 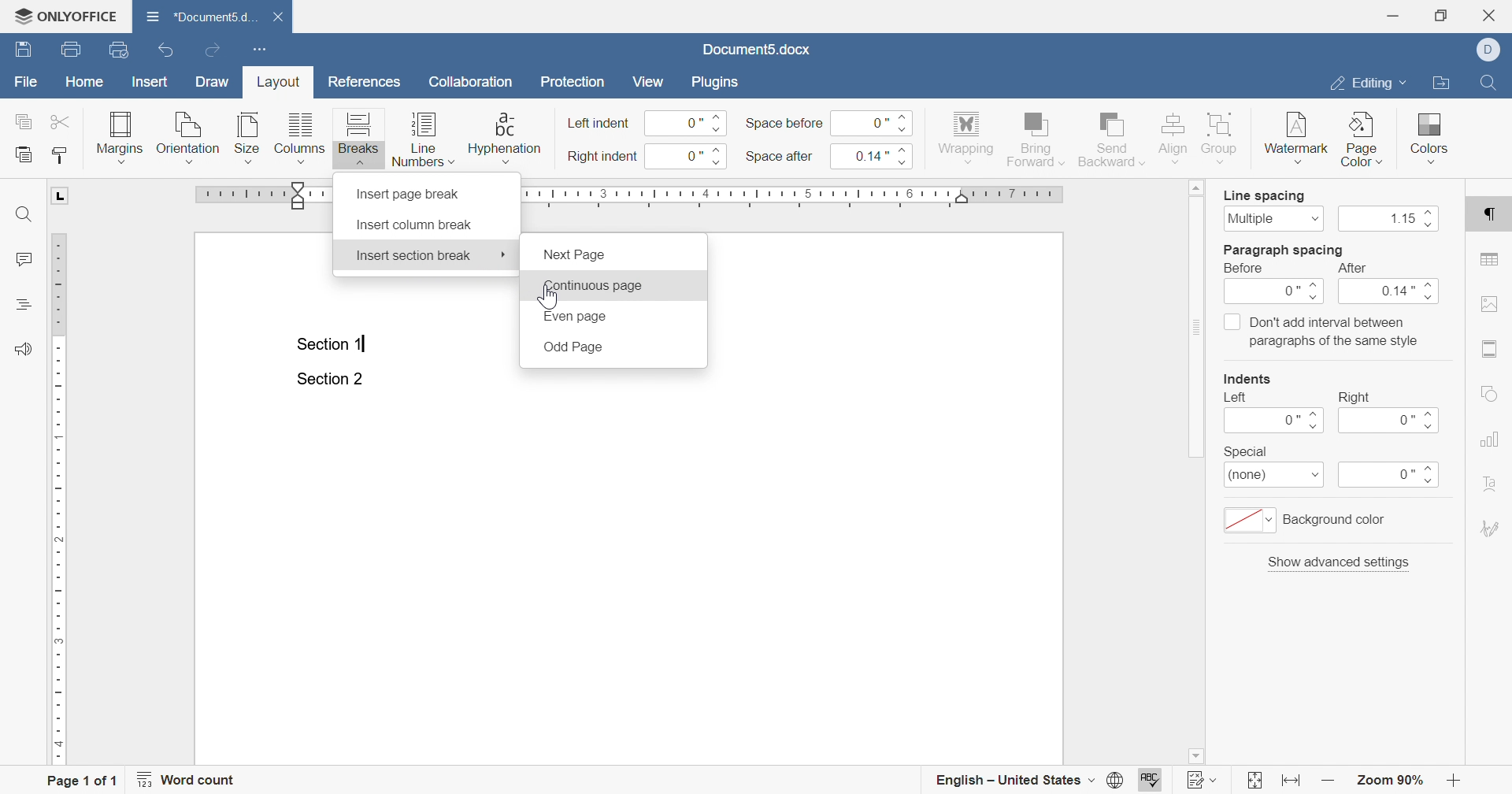 What do you see at coordinates (1273, 421) in the screenshot?
I see `0` at bounding box center [1273, 421].